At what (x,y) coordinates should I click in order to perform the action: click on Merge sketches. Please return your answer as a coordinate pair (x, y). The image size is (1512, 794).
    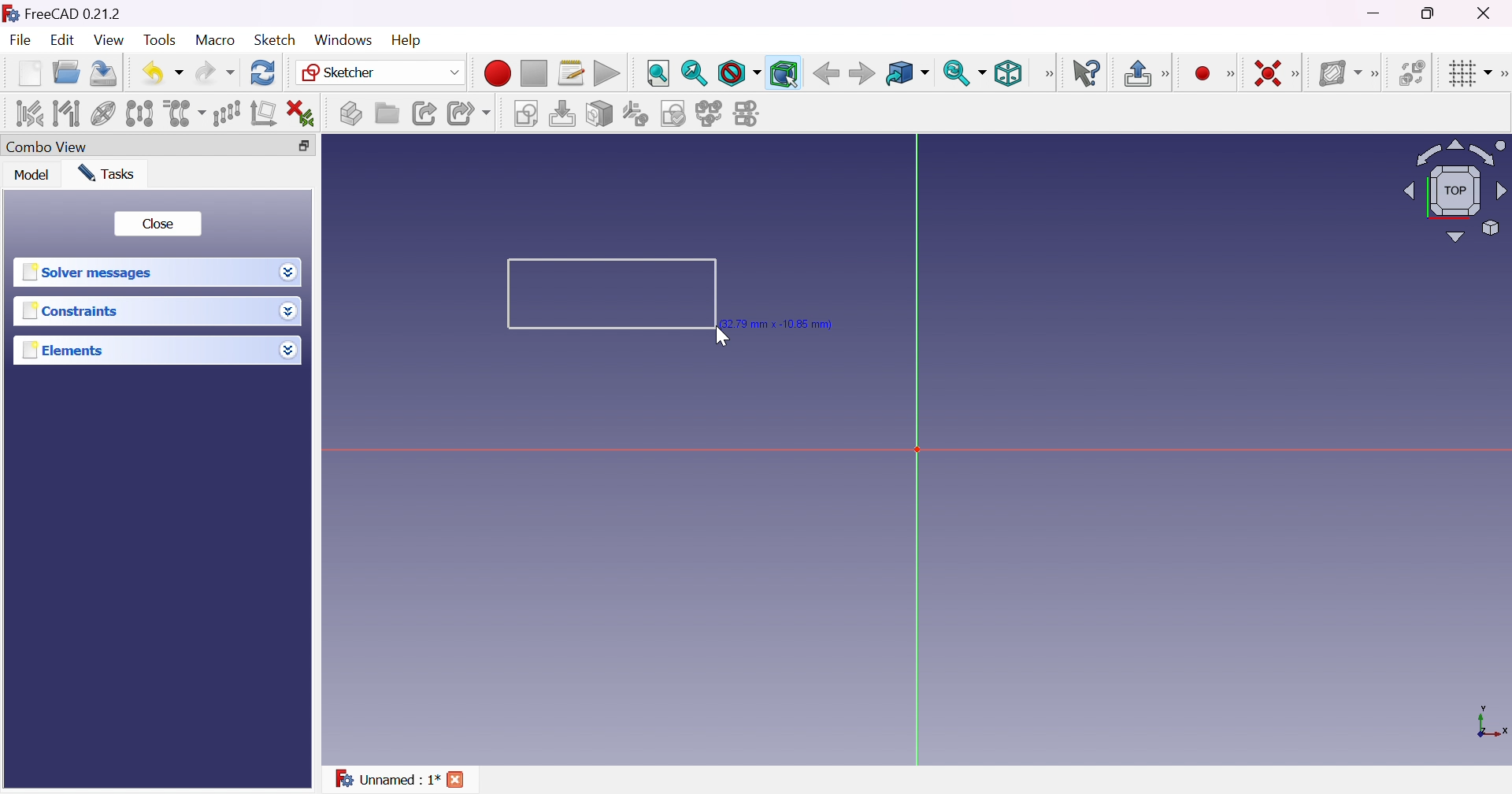
    Looking at the image, I should click on (709, 114).